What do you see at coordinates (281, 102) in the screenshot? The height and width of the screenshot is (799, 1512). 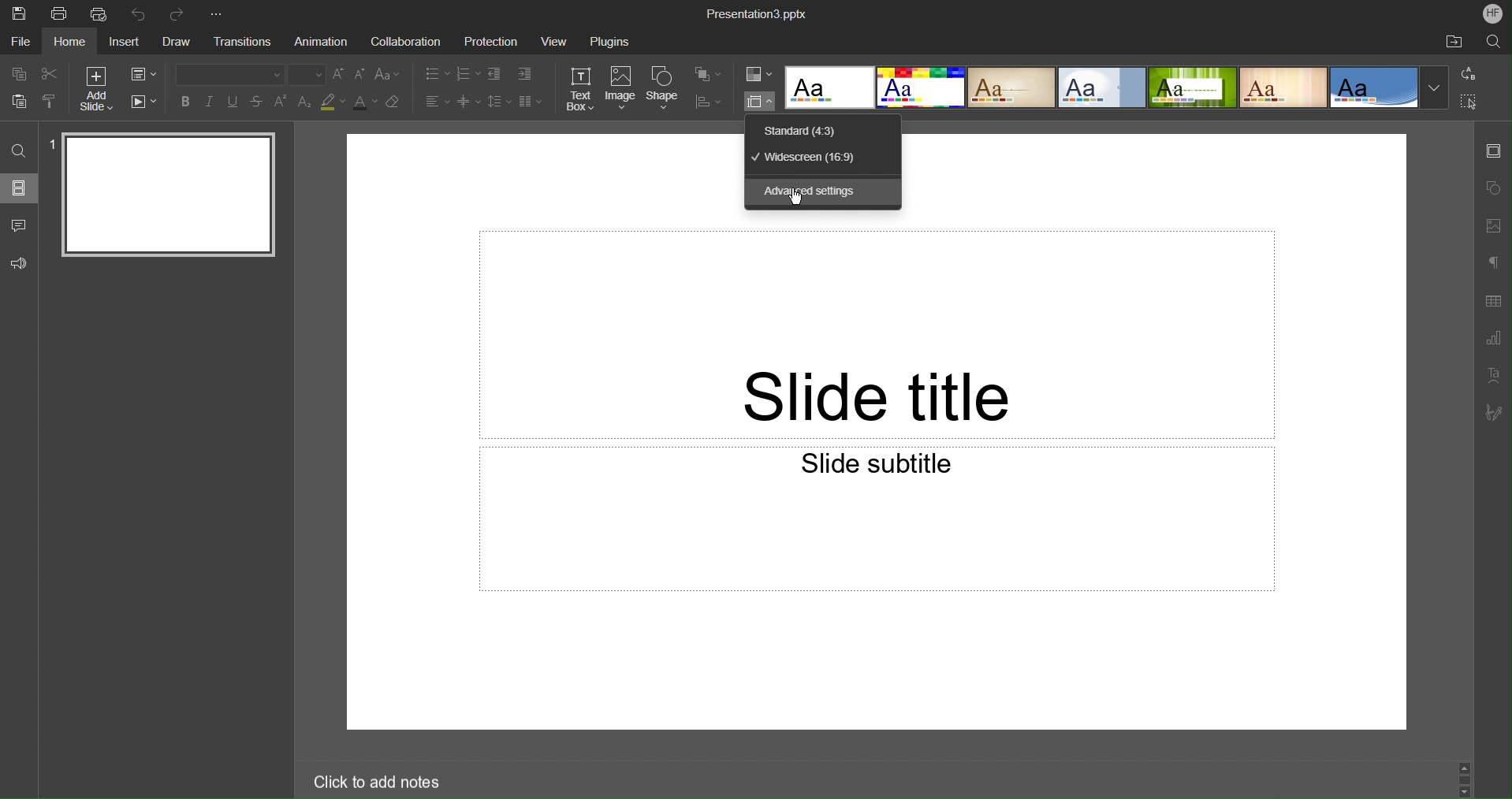 I see `Superscript` at bounding box center [281, 102].